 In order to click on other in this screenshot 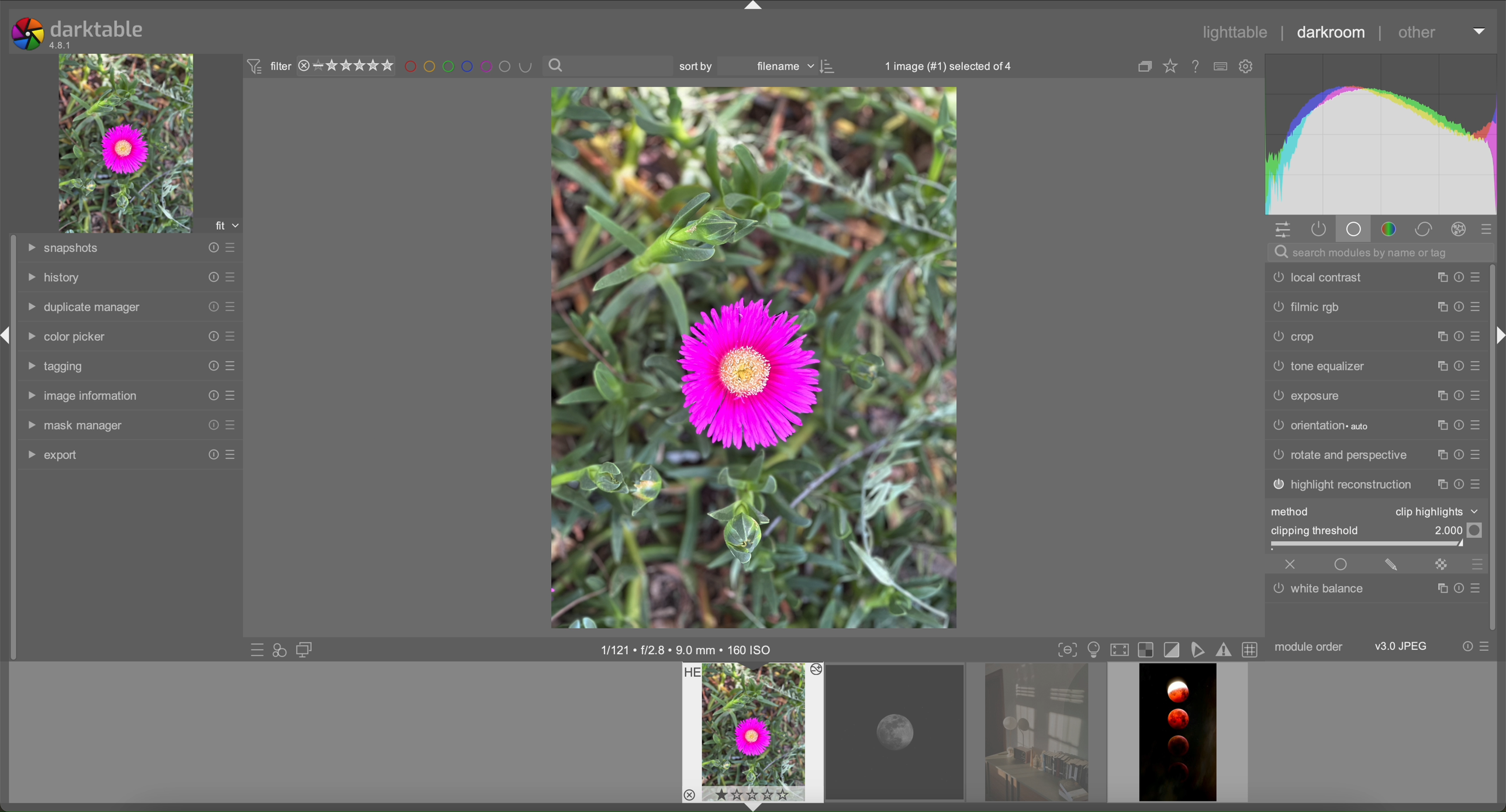, I will do `click(1417, 35)`.